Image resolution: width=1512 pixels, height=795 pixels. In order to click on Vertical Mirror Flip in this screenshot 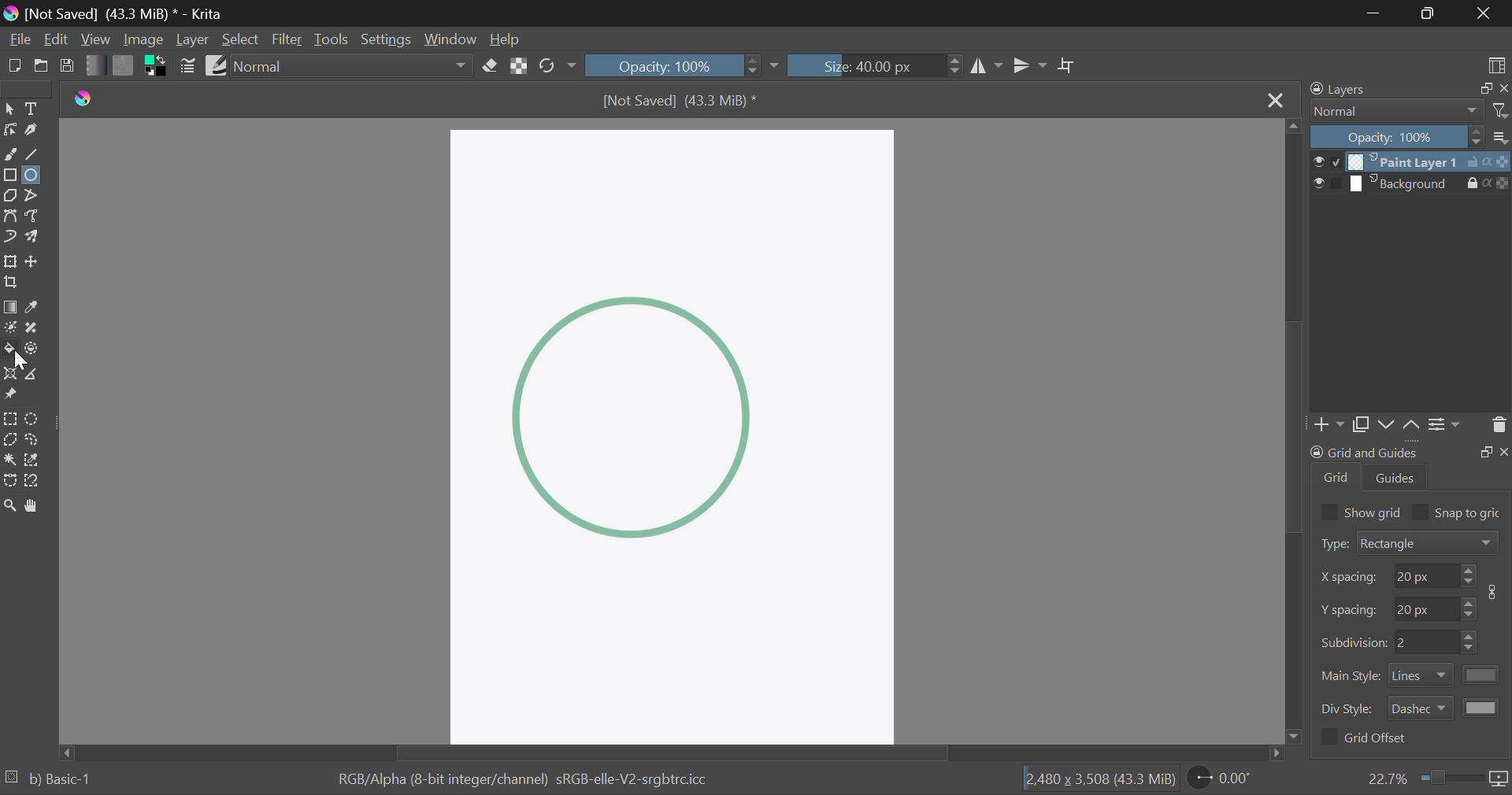, I will do `click(988, 66)`.